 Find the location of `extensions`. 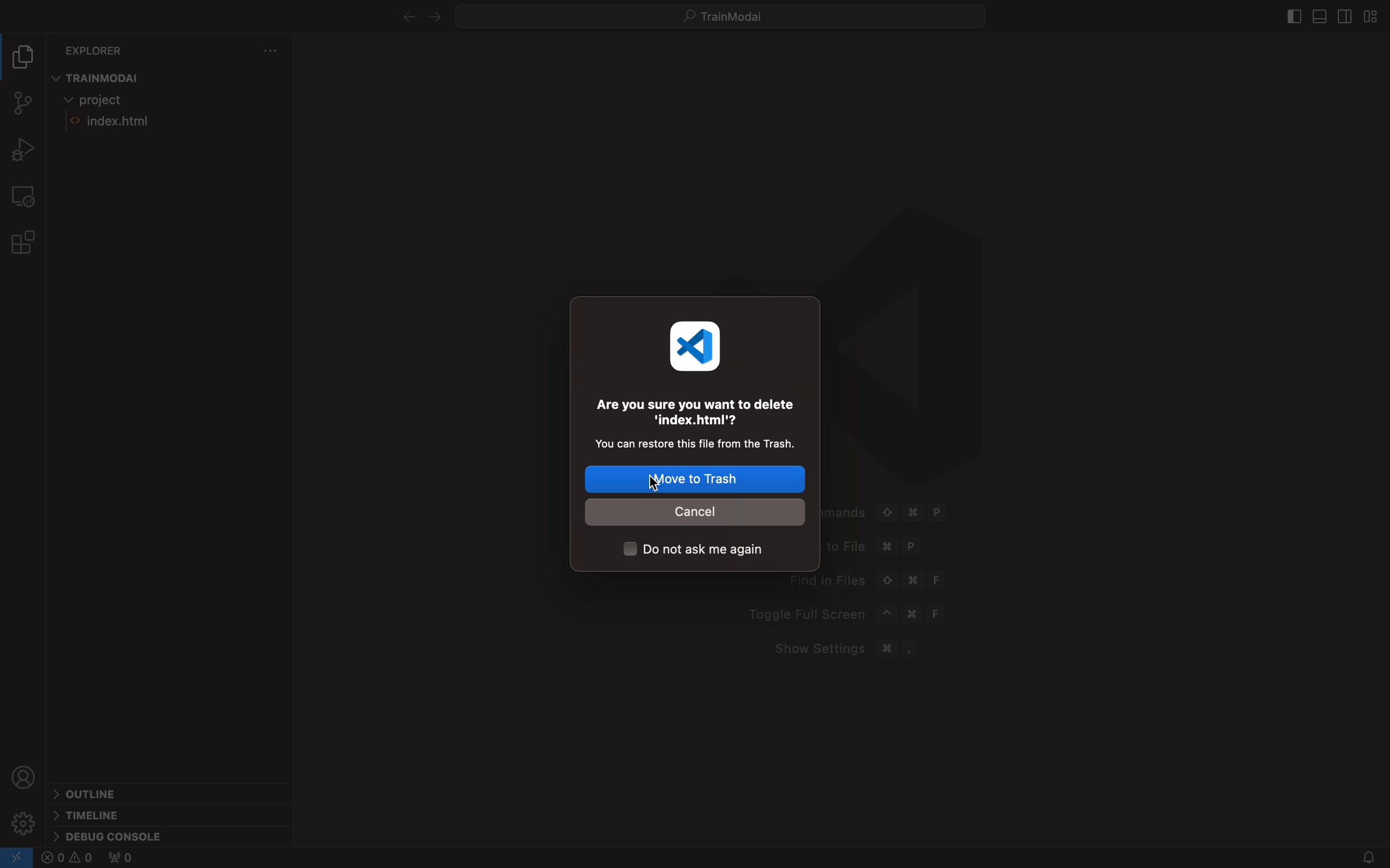

extensions is located at coordinates (25, 241).